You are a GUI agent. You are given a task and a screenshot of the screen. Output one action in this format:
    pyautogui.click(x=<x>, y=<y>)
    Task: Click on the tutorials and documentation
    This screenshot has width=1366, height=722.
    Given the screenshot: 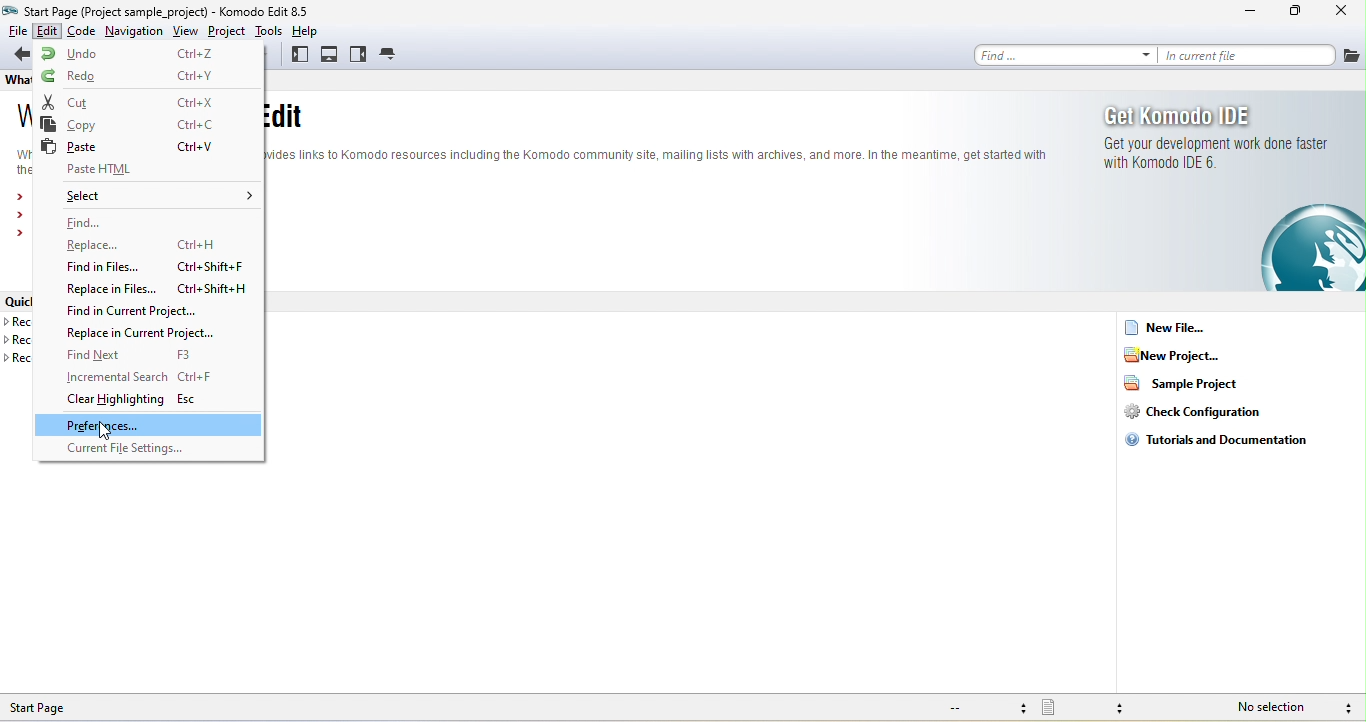 What is the action you would take?
    pyautogui.click(x=1225, y=447)
    